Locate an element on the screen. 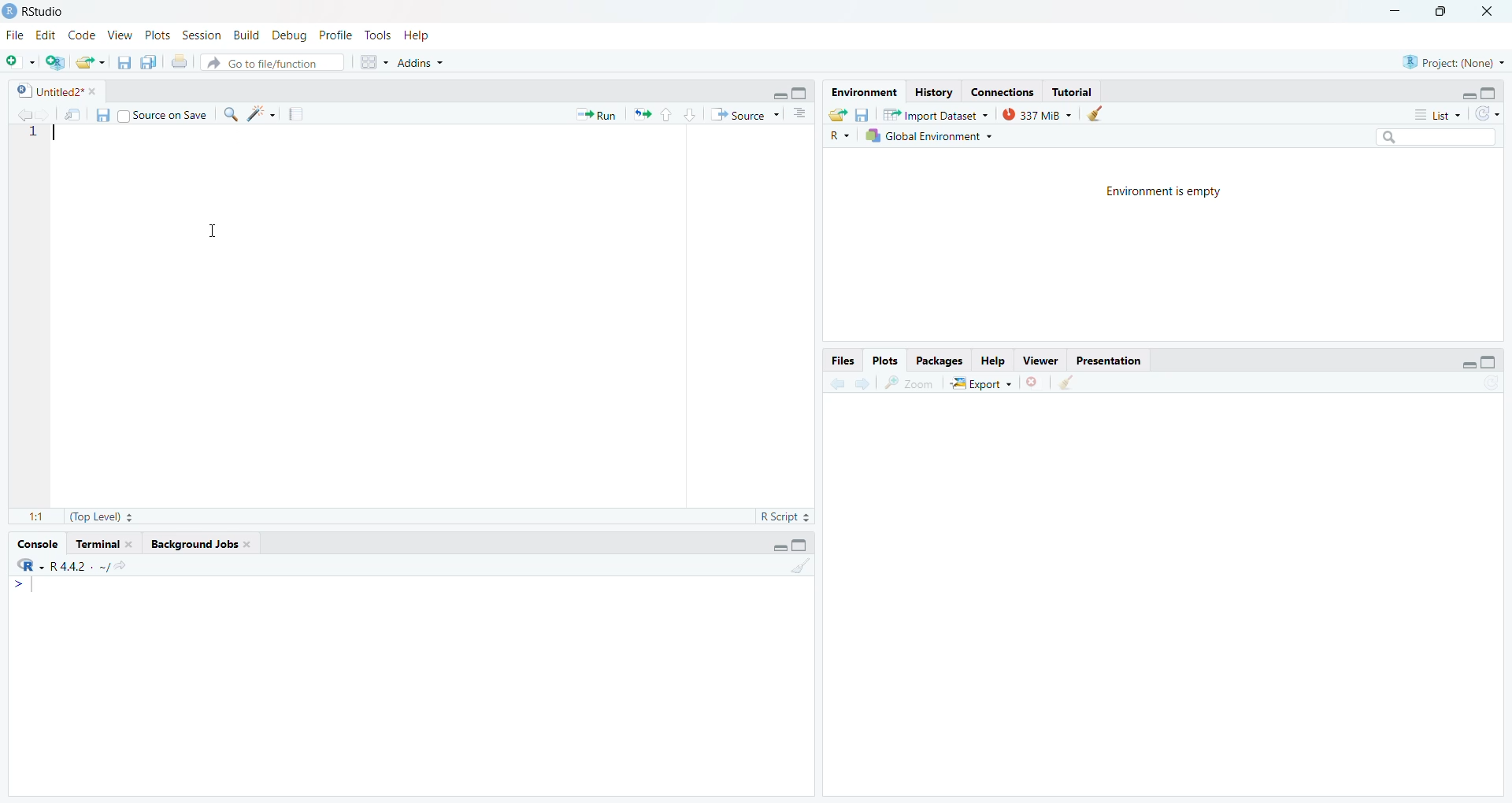 This screenshot has height=803, width=1512. close is located at coordinates (1492, 12).